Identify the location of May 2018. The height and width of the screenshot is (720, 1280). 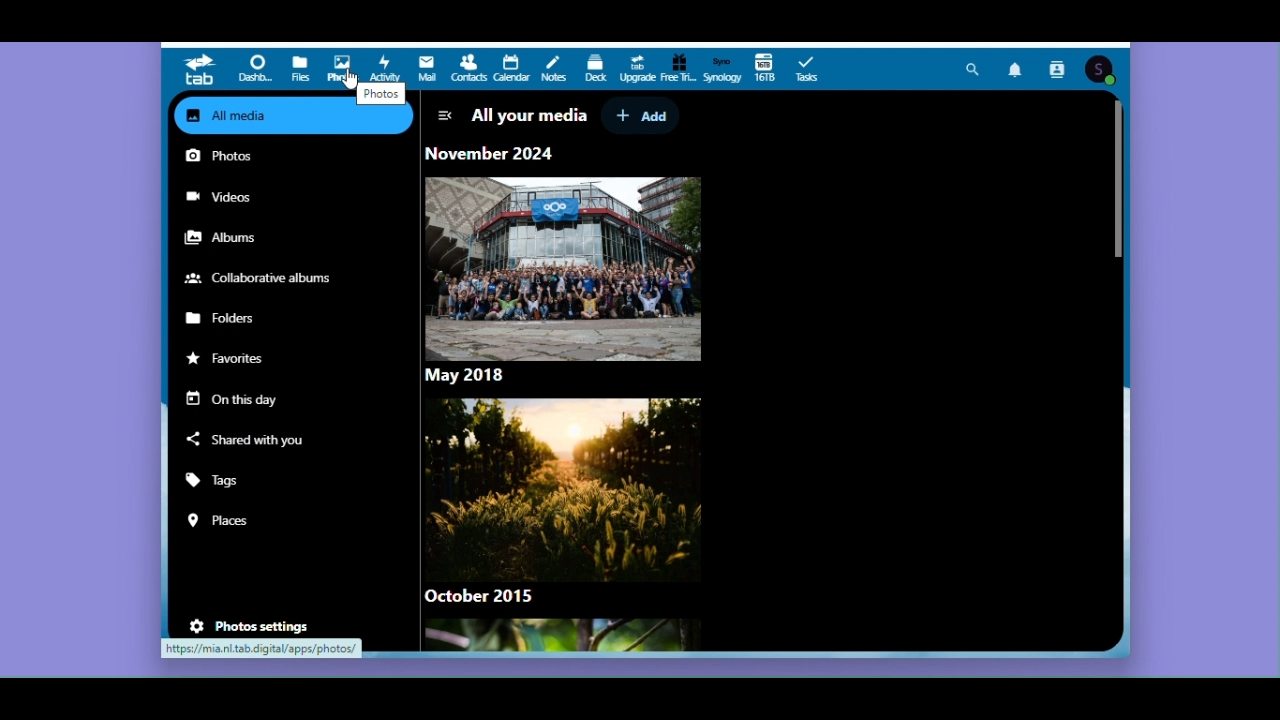
(475, 374).